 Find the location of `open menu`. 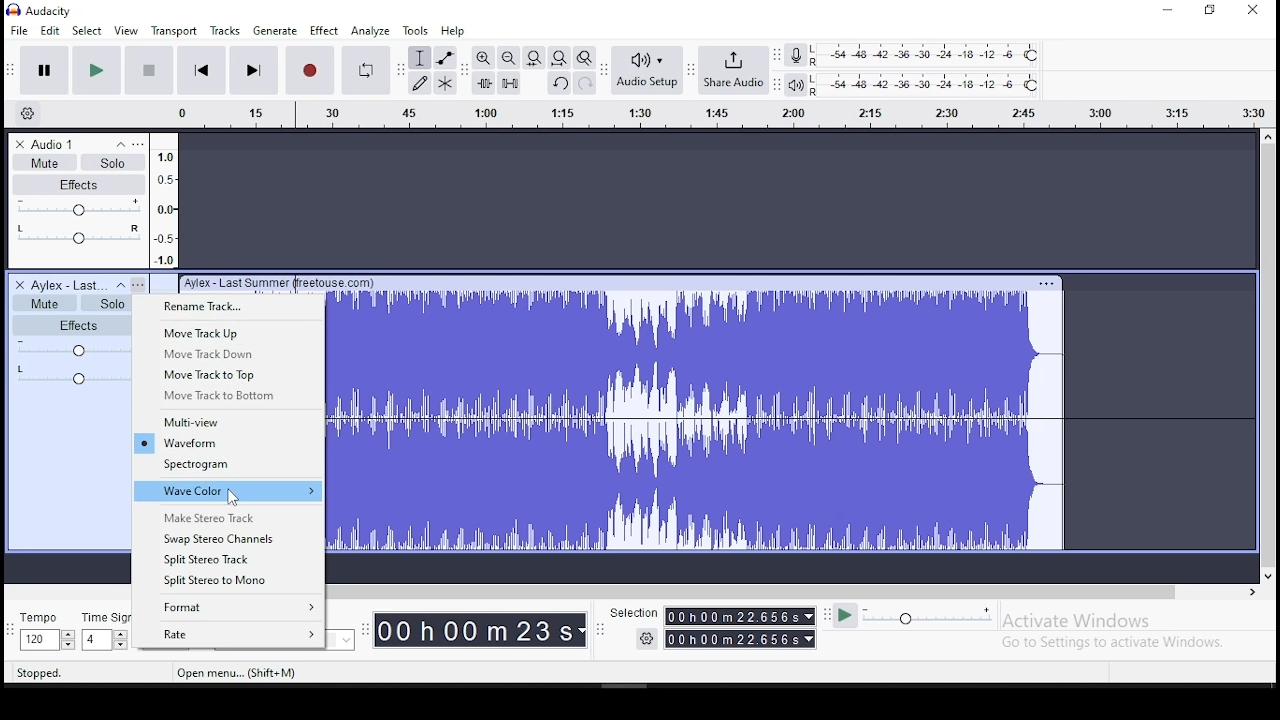

open menu is located at coordinates (139, 284).